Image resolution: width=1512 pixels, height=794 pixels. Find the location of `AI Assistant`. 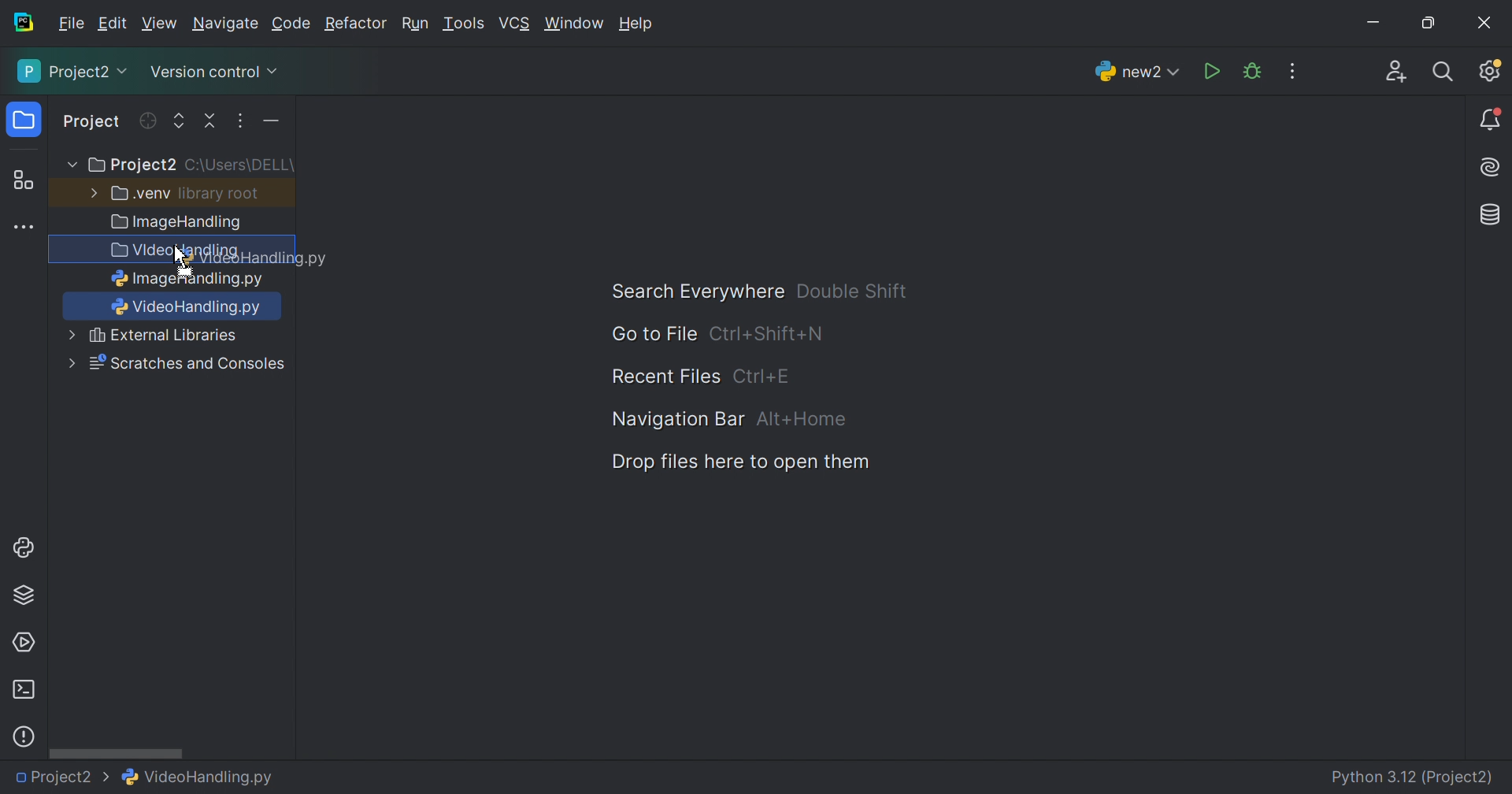

AI Assistant is located at coordinates (1492, 168).